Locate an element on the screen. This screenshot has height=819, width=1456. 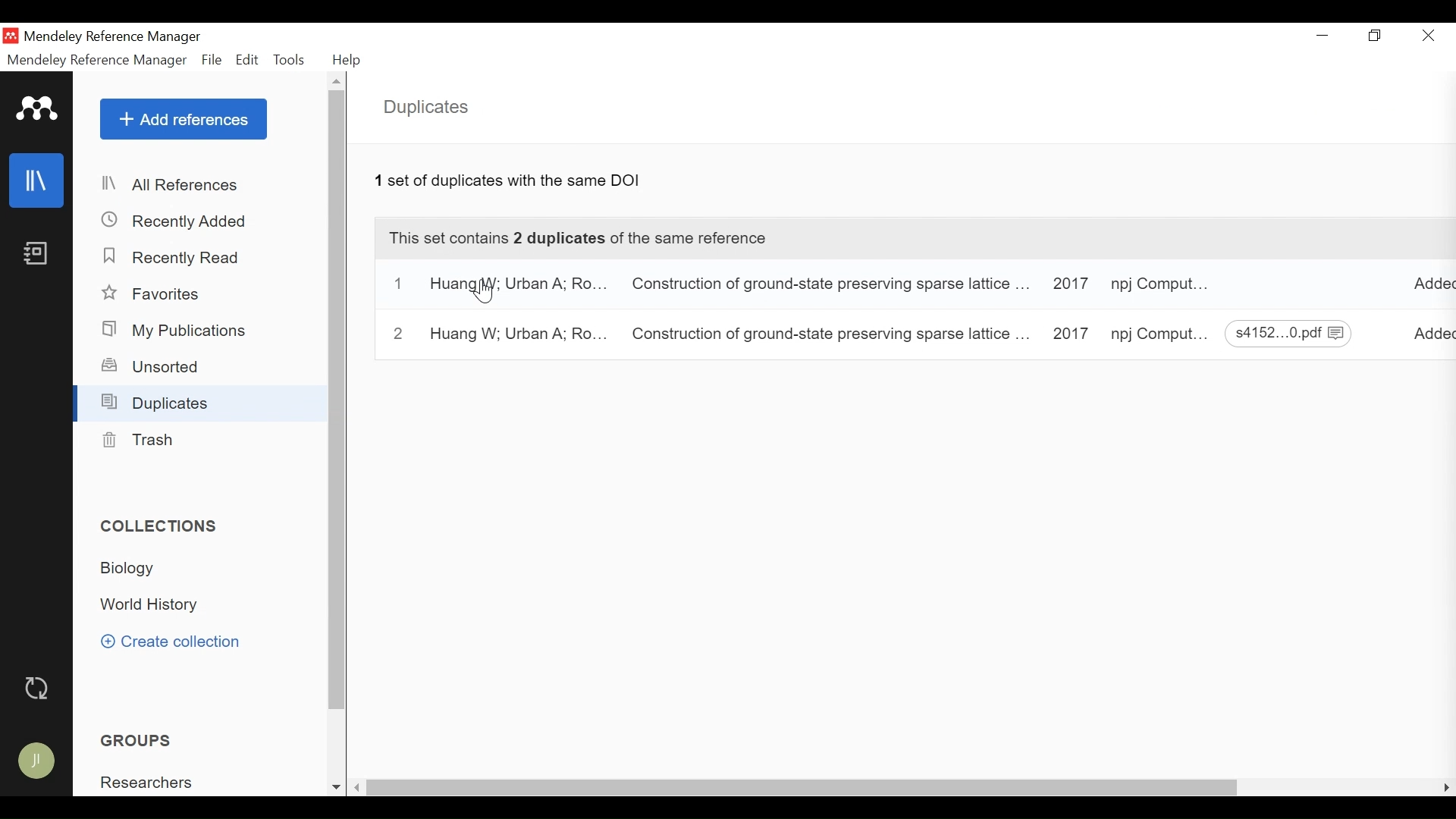
Year is located at coordinates (1068, 334).